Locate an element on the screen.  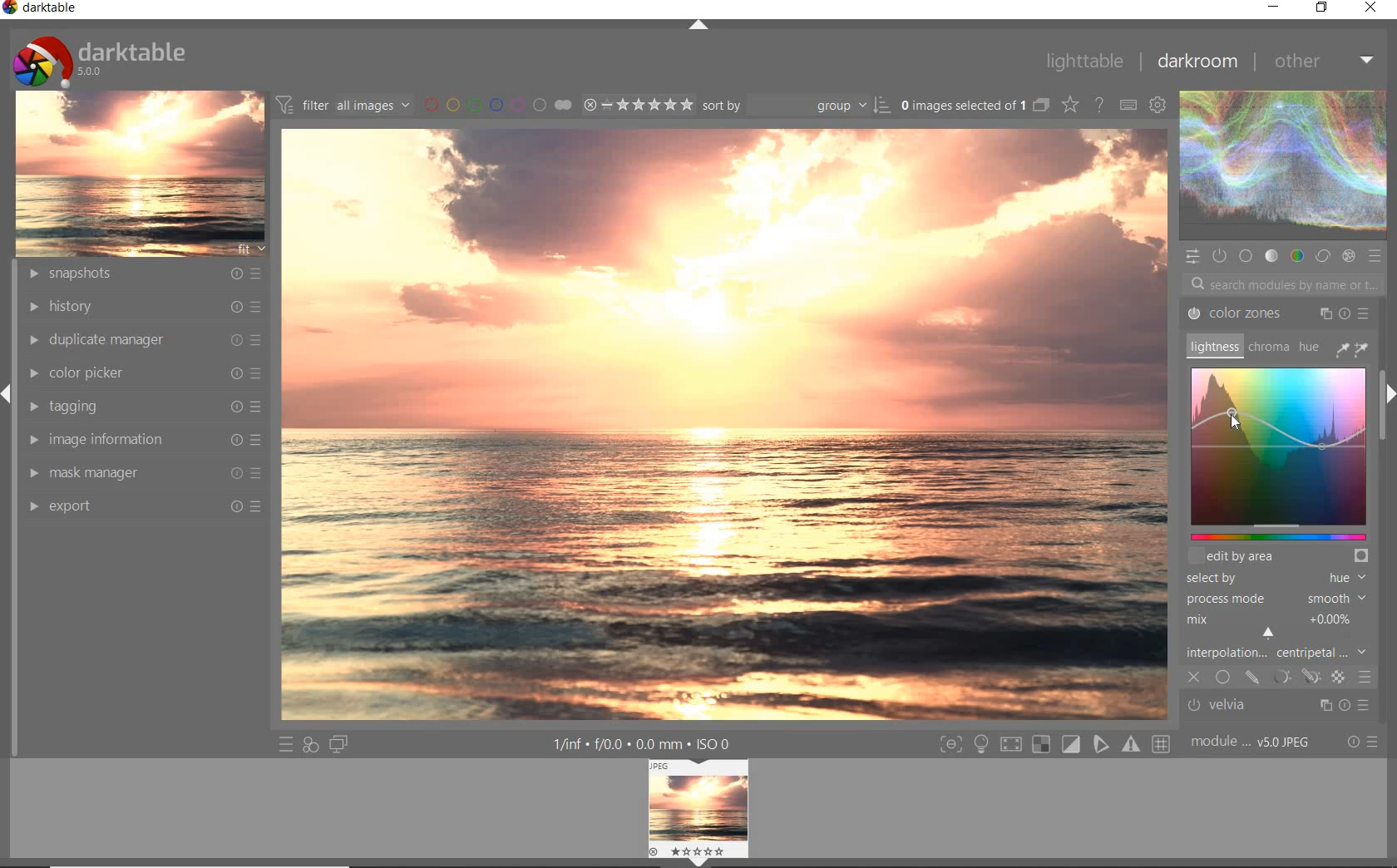
COLOR is located at coordinates (1295, 256).